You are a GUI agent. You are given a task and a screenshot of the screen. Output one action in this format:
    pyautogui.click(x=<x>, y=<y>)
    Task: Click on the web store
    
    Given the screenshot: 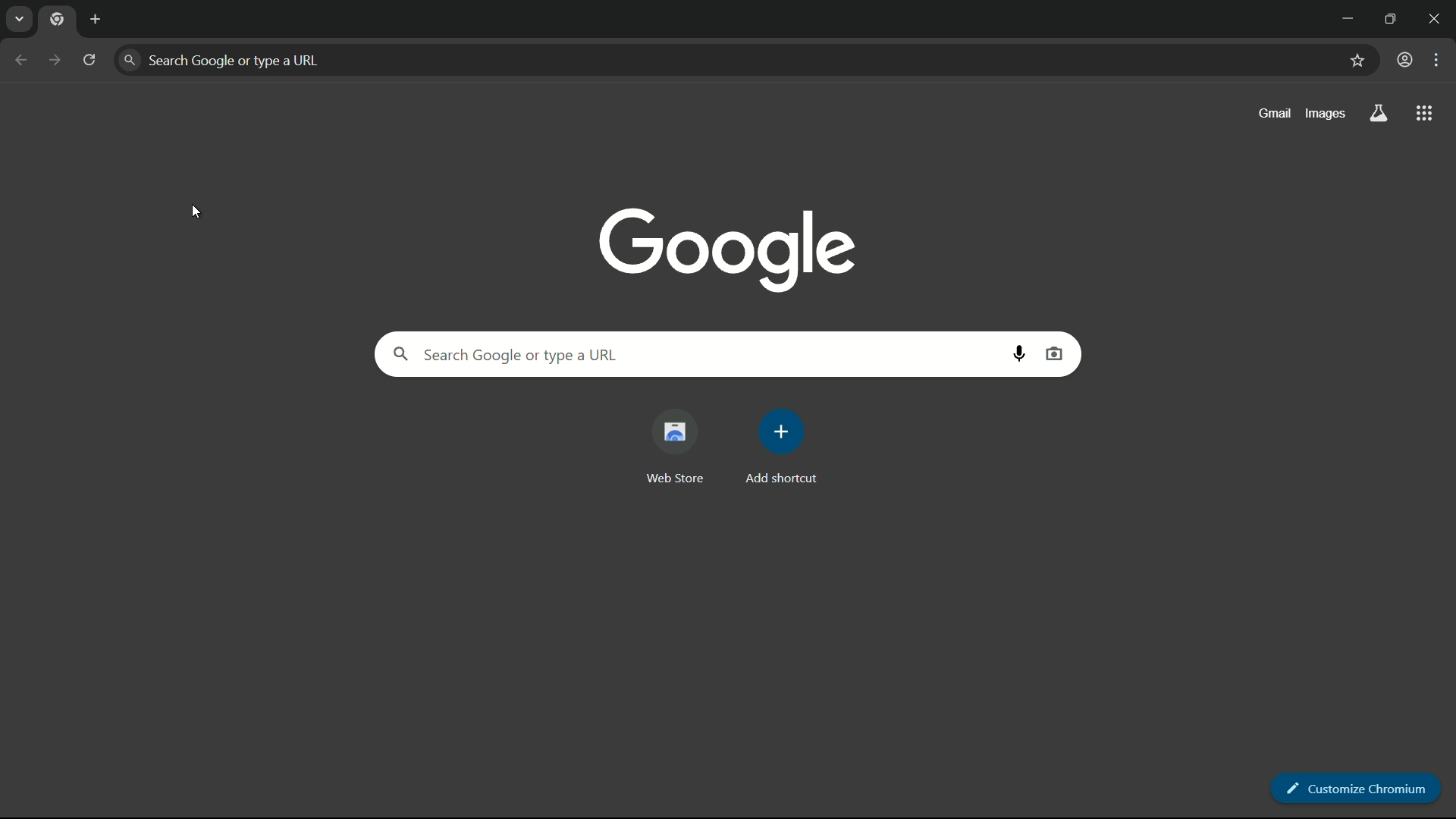 What is the action you would take?
    pyautogui.click(x=673, y=447)
    